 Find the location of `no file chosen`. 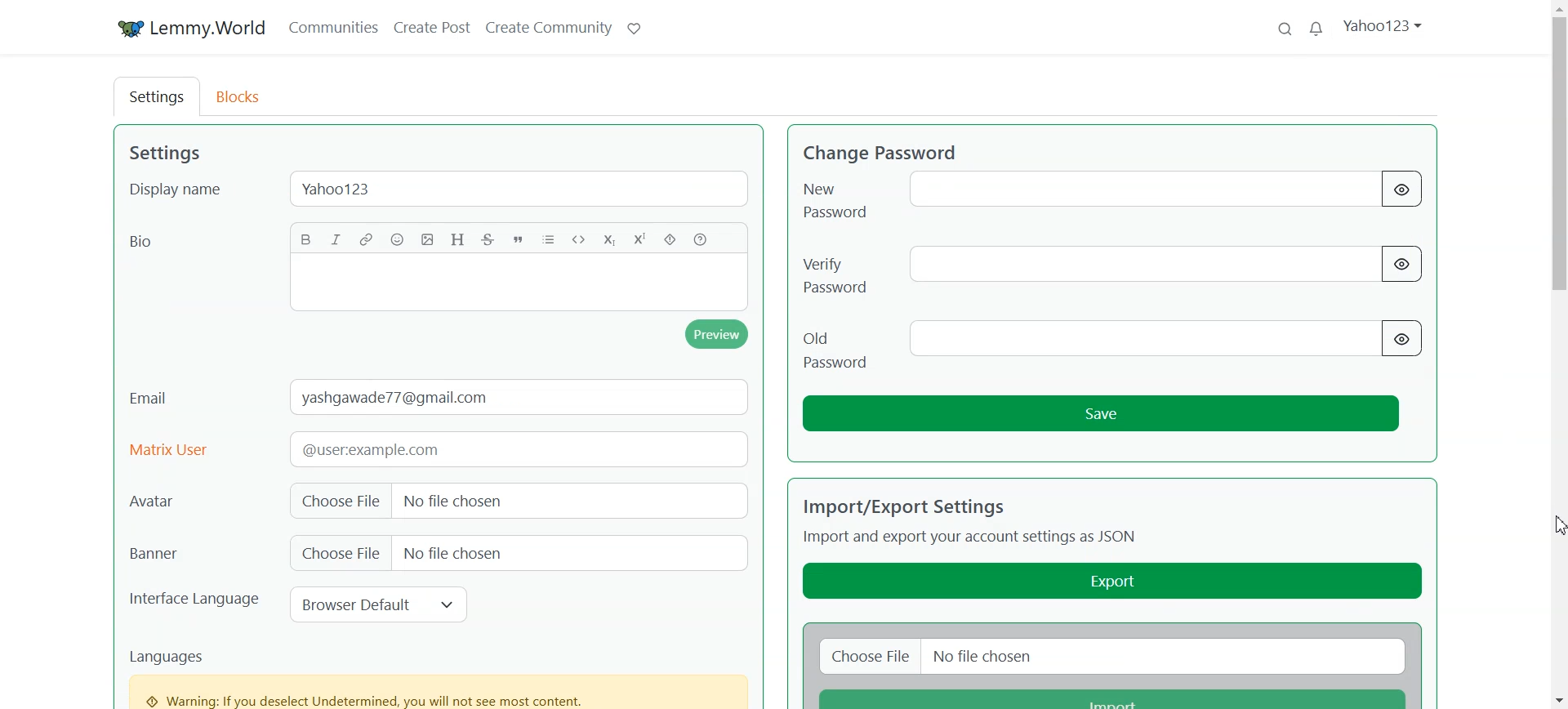

no file chosen is located at coordinates (563, 554).